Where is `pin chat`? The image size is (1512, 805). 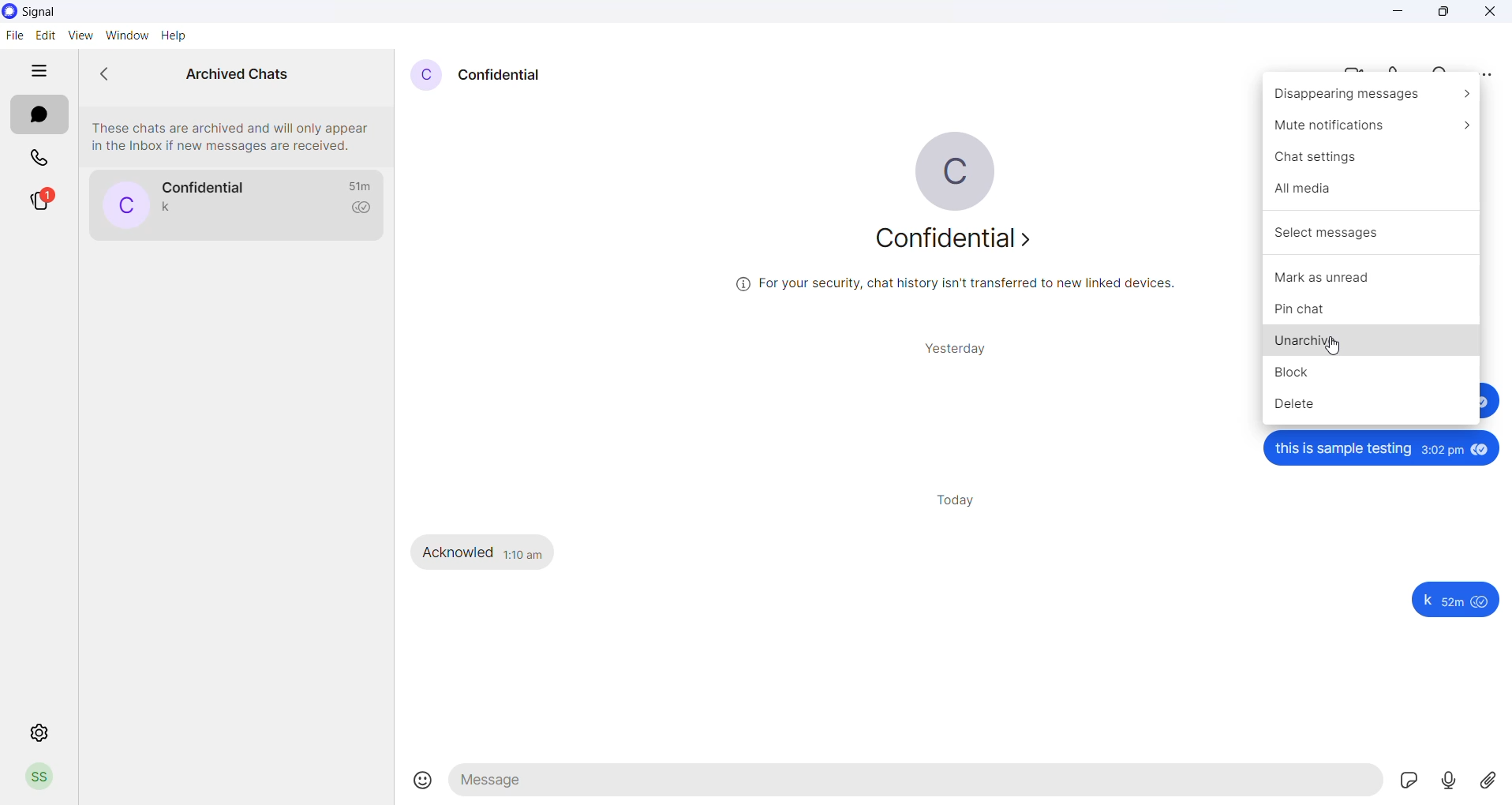 pin chat is located at coordinates (1372, 310).